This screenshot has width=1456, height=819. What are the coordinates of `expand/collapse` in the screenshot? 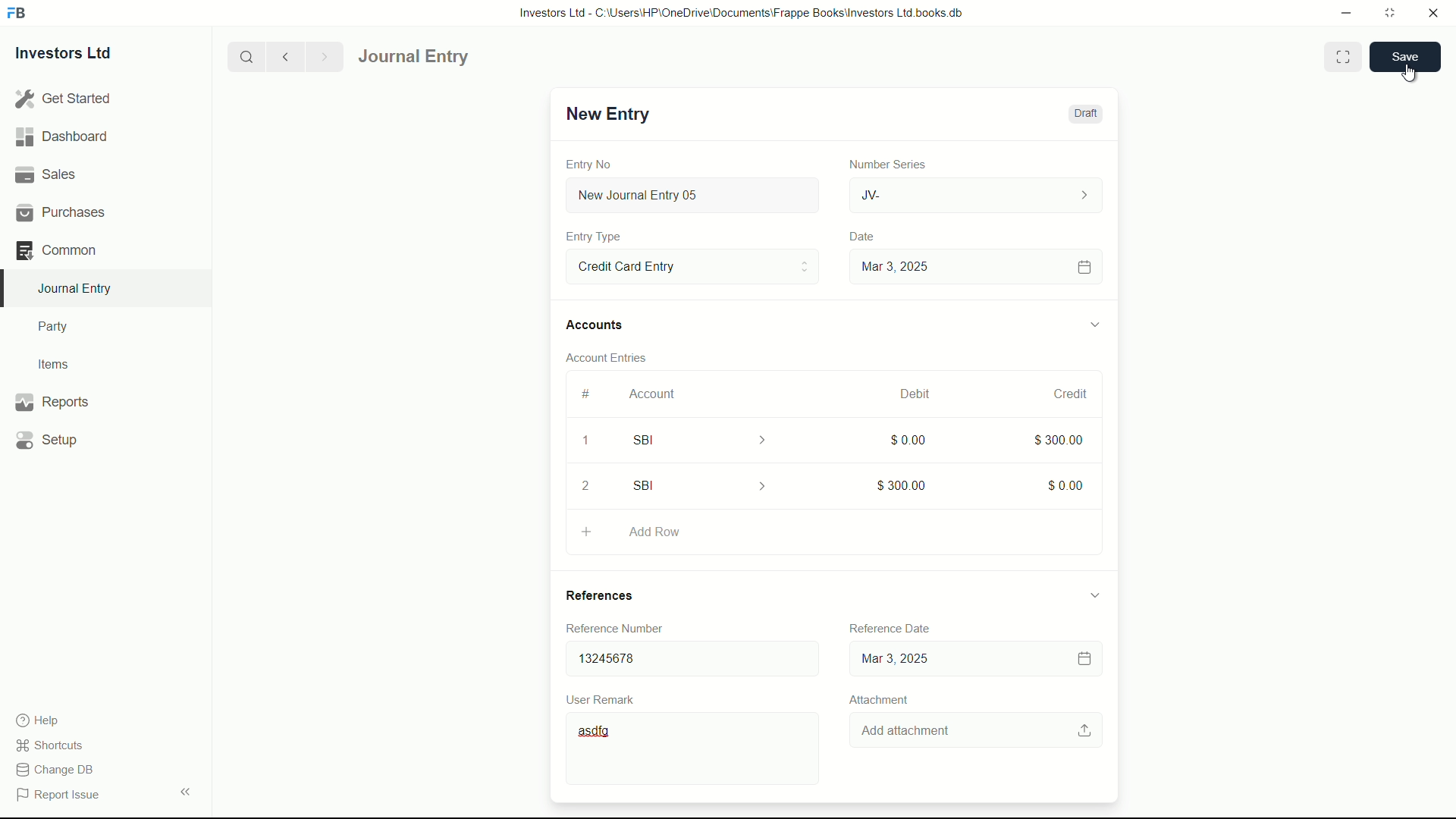 It's located at (1094, 322).